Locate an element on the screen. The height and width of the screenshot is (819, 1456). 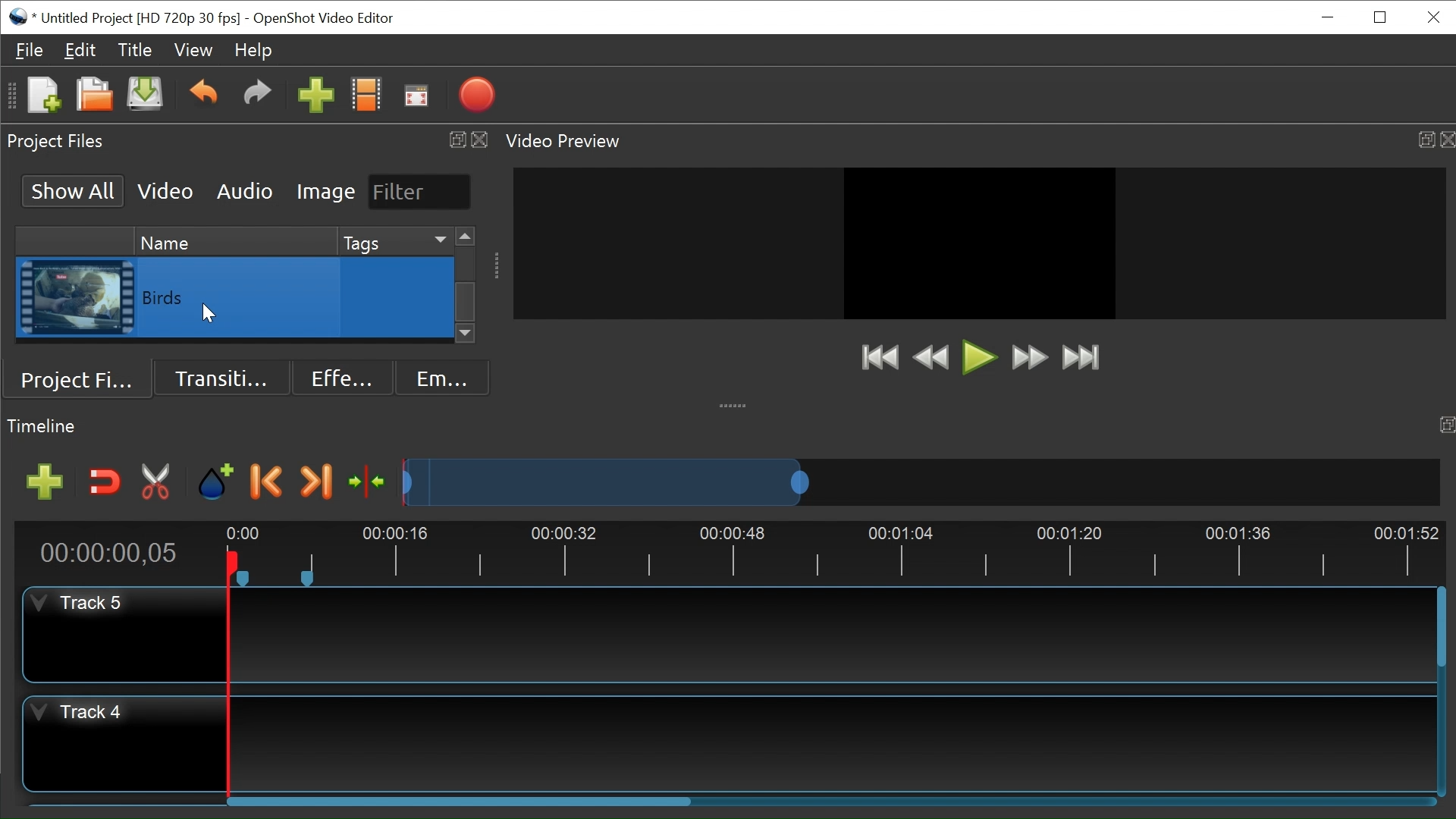
Scroll up is located at coordinates (465, 237).